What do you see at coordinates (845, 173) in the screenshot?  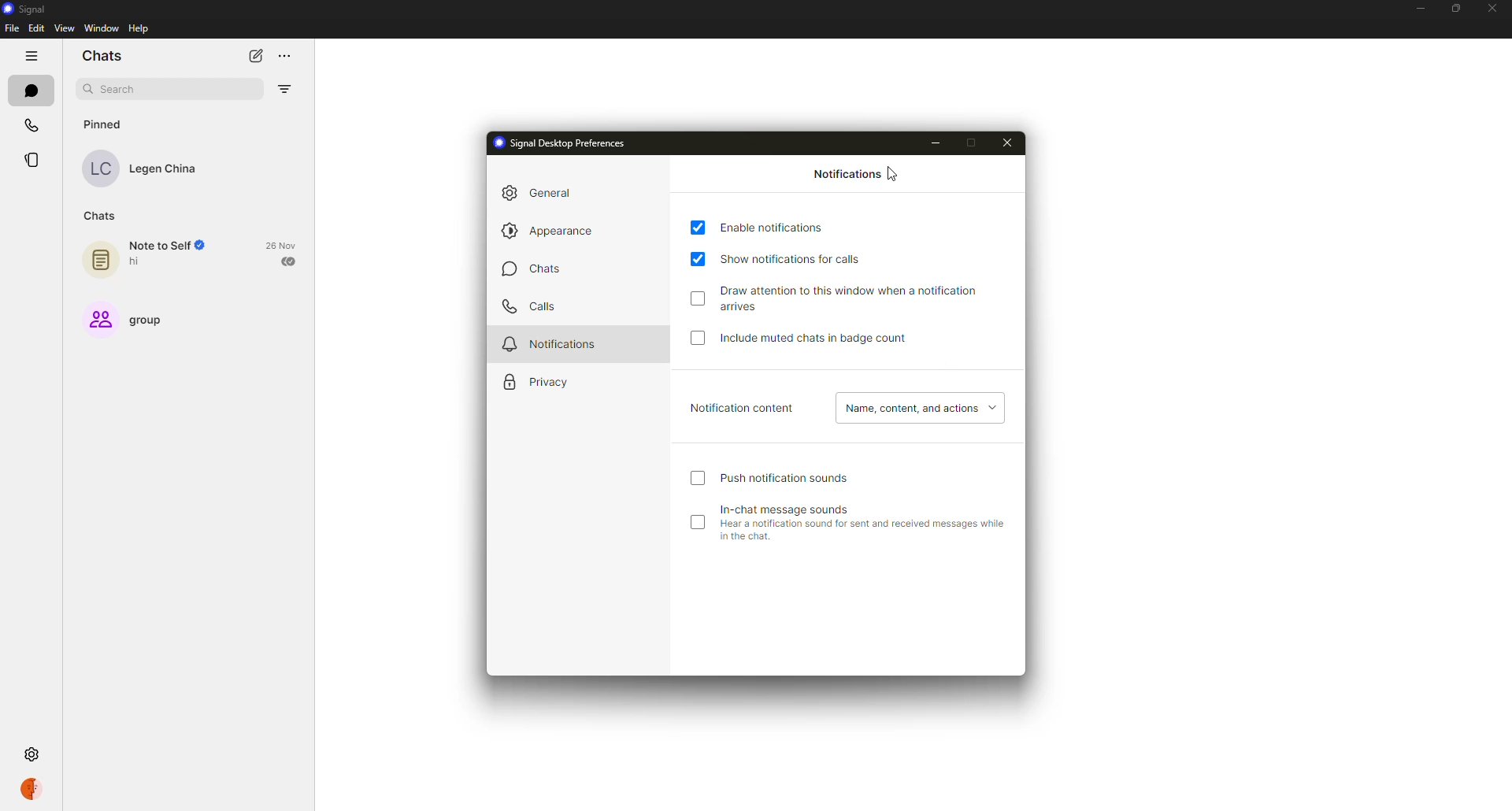 I see `notifications` at bounding box center [845, 173].